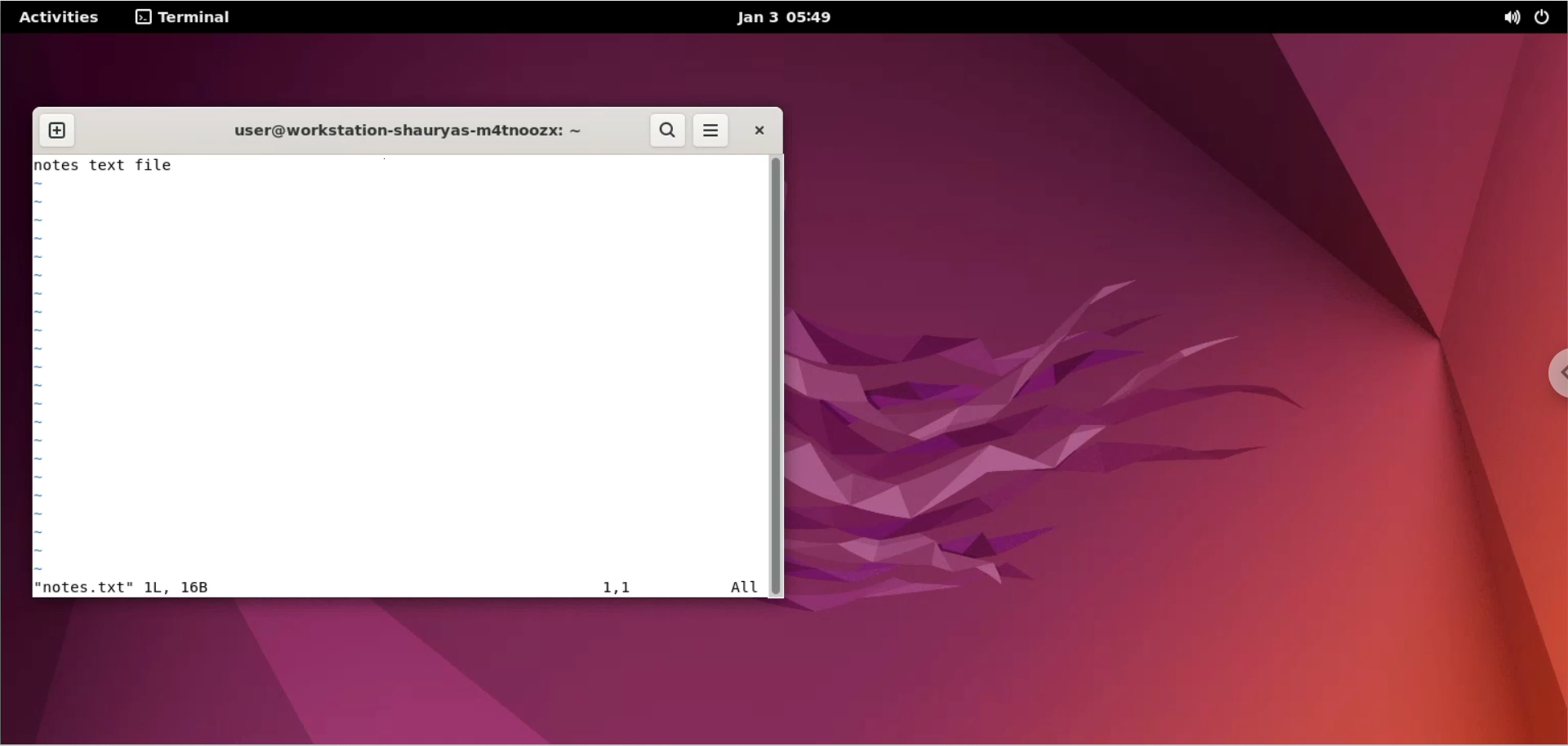 This screenshot has width=1568, height=746. Describe the element at coordinates (400, 376) in the screenshot. I see `notes.txt content ` at that location.